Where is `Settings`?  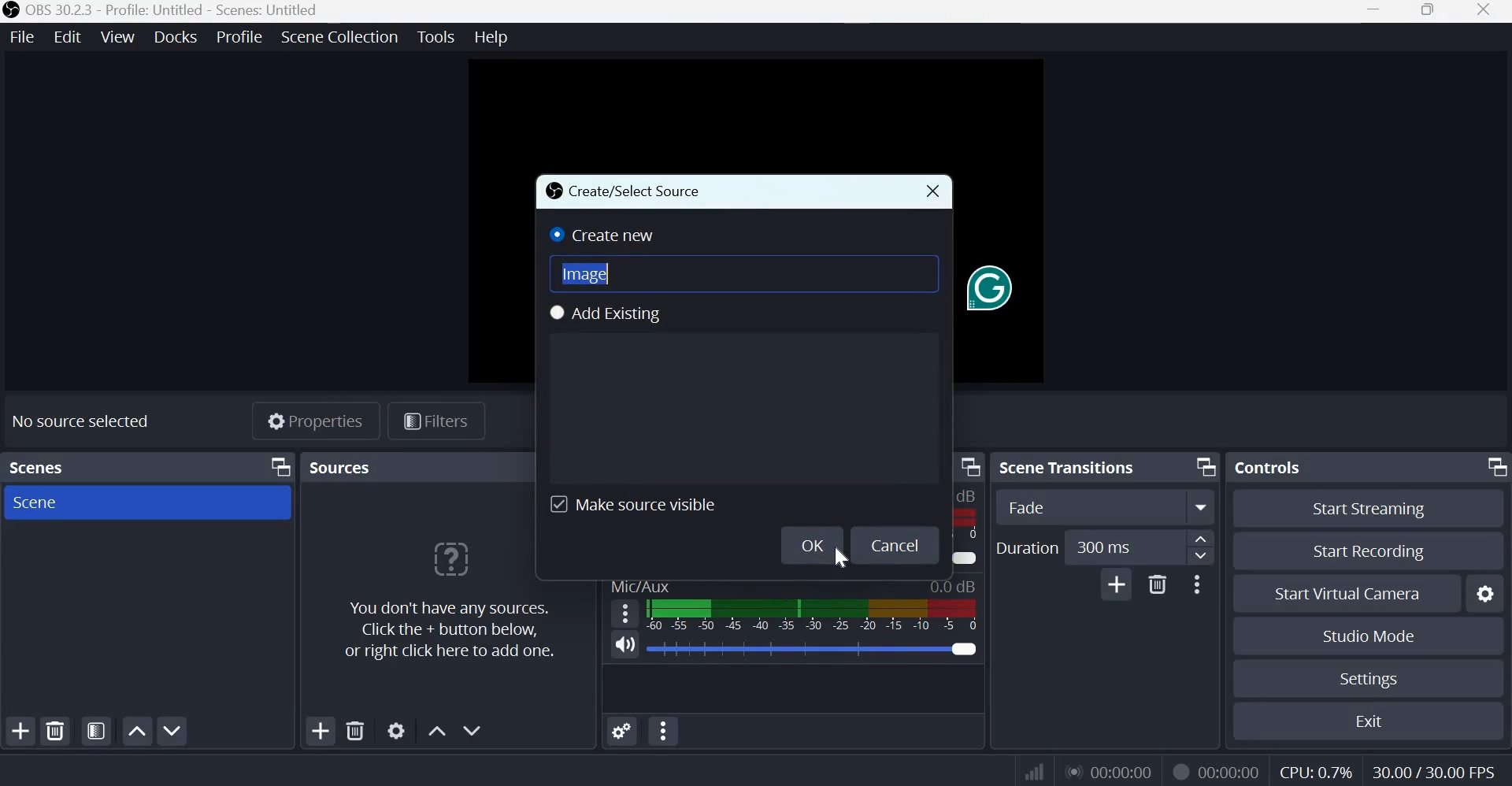 Settings is located at coordinates (1369, 679).